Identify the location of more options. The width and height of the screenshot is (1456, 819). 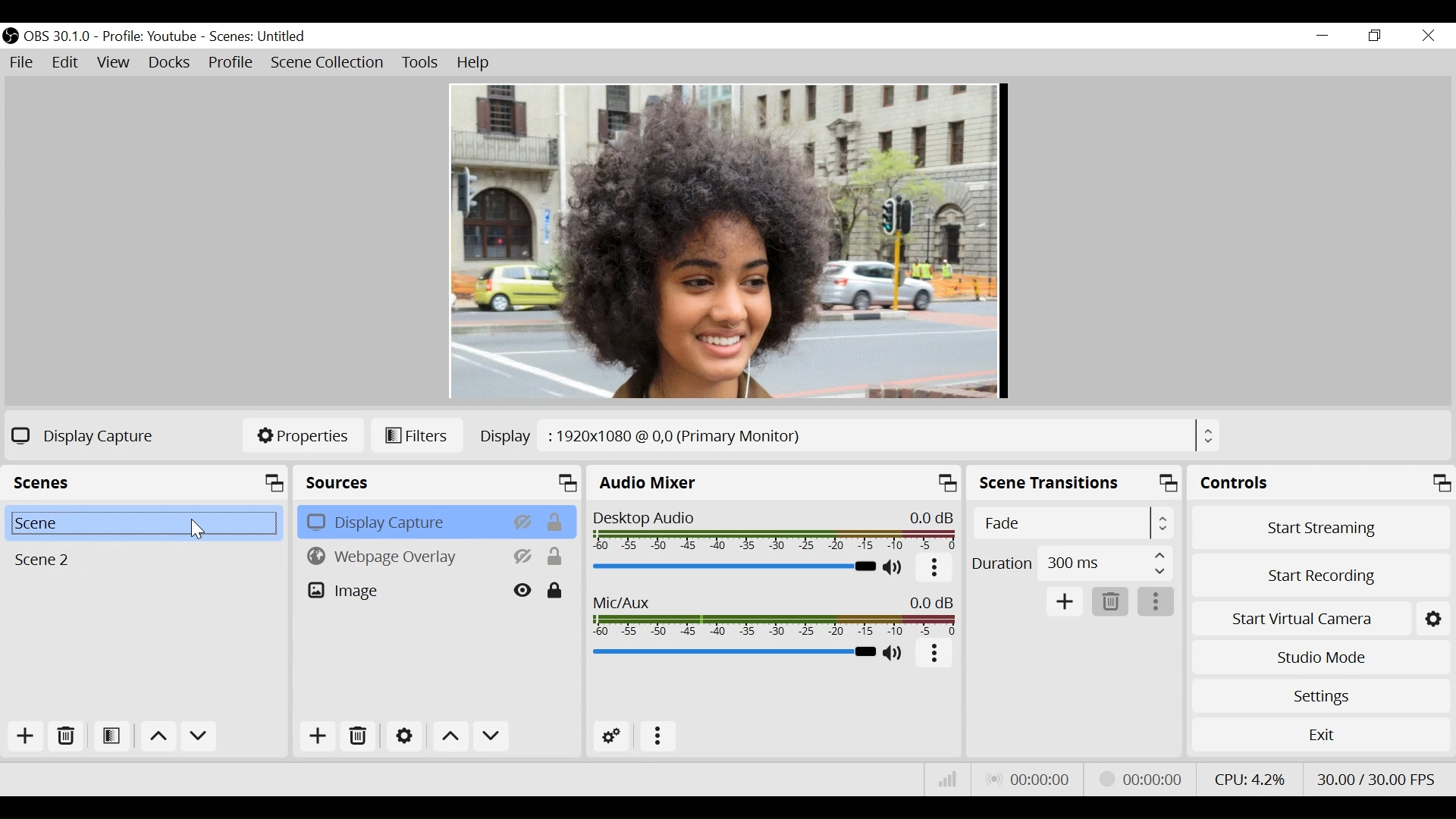
(935, 653).